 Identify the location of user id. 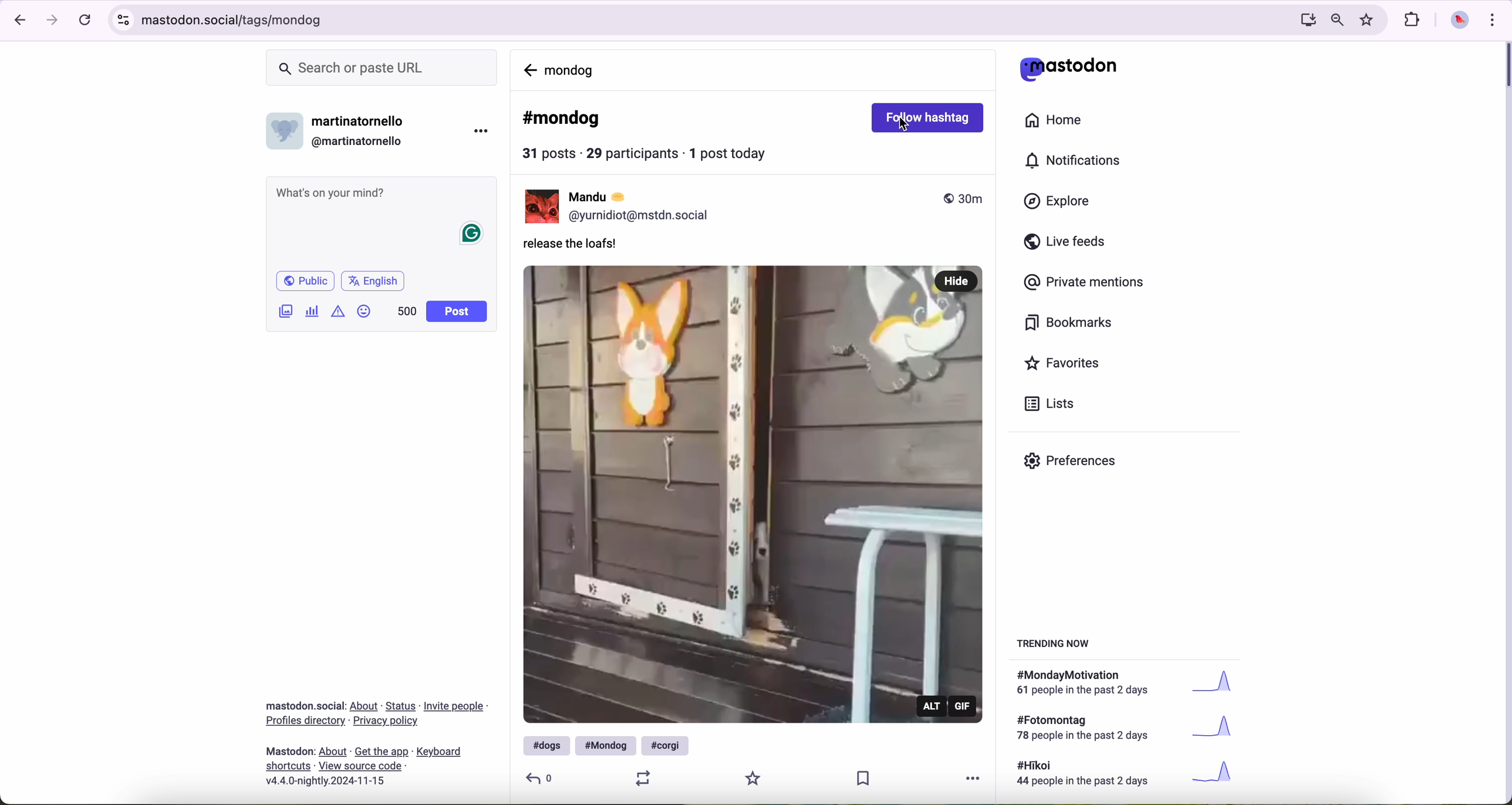
(361, 142).